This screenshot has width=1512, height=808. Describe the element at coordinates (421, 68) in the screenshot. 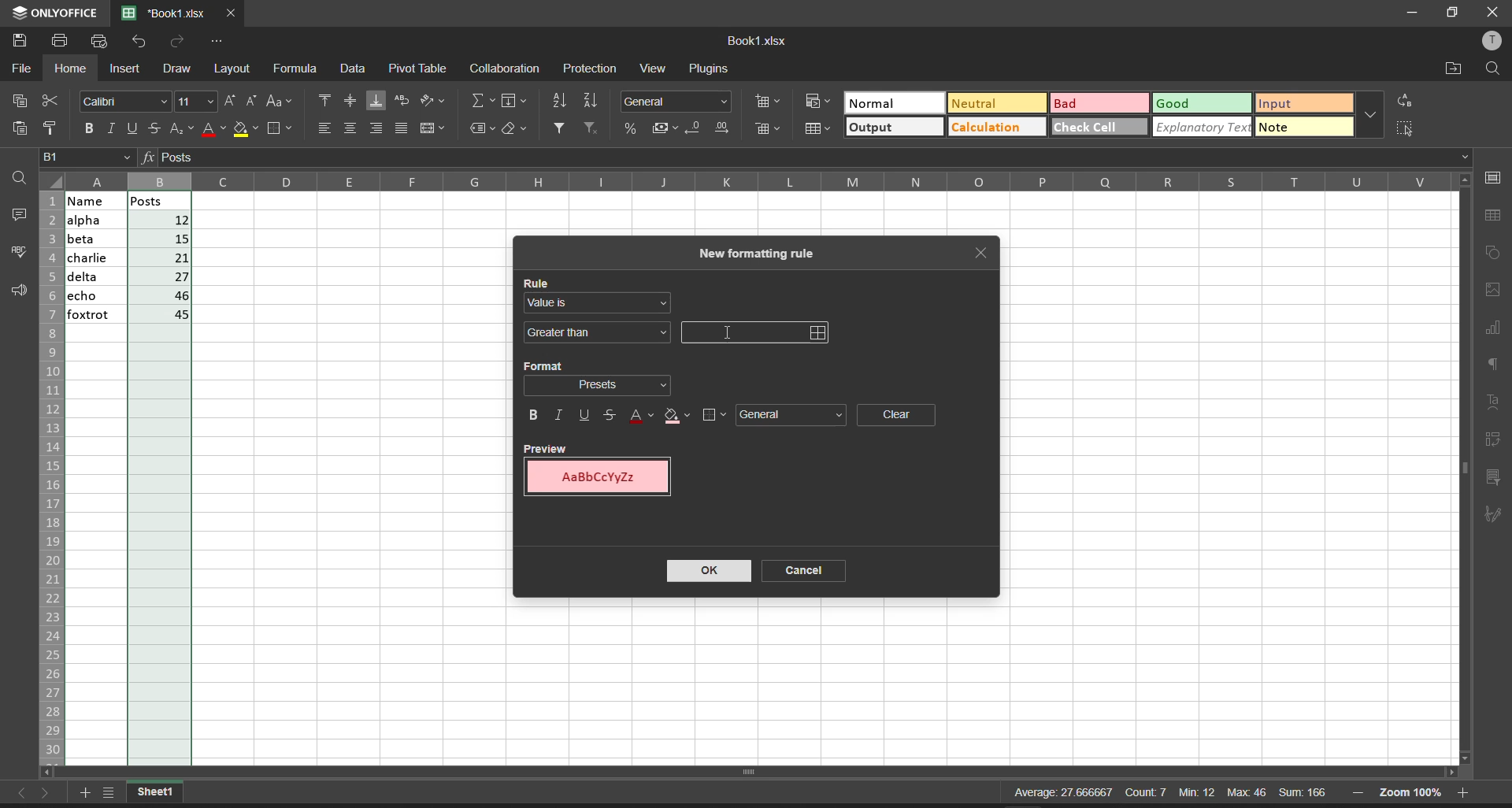

I see `pivot table` at that location.